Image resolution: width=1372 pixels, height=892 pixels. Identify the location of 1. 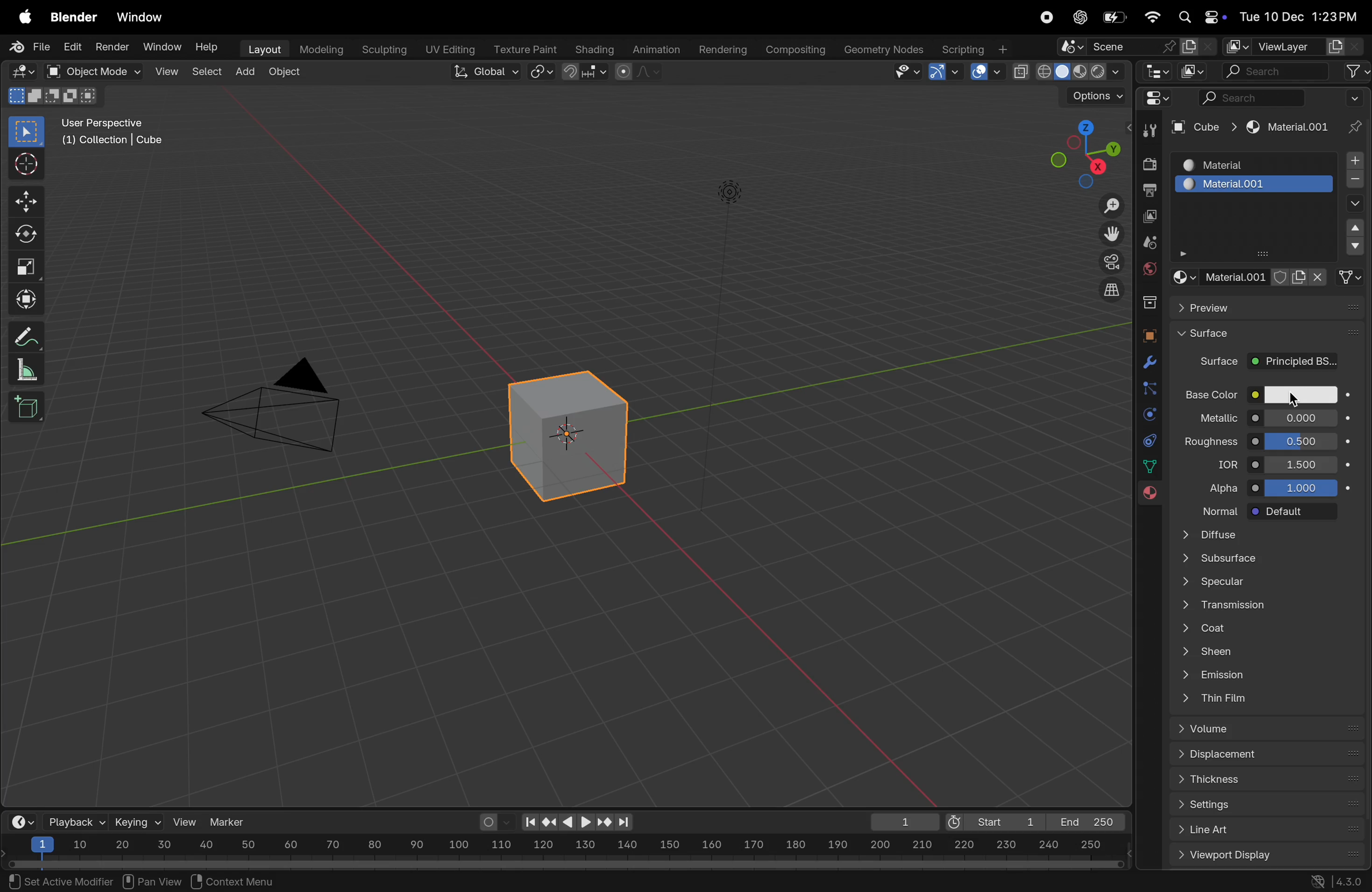
(900, 822).